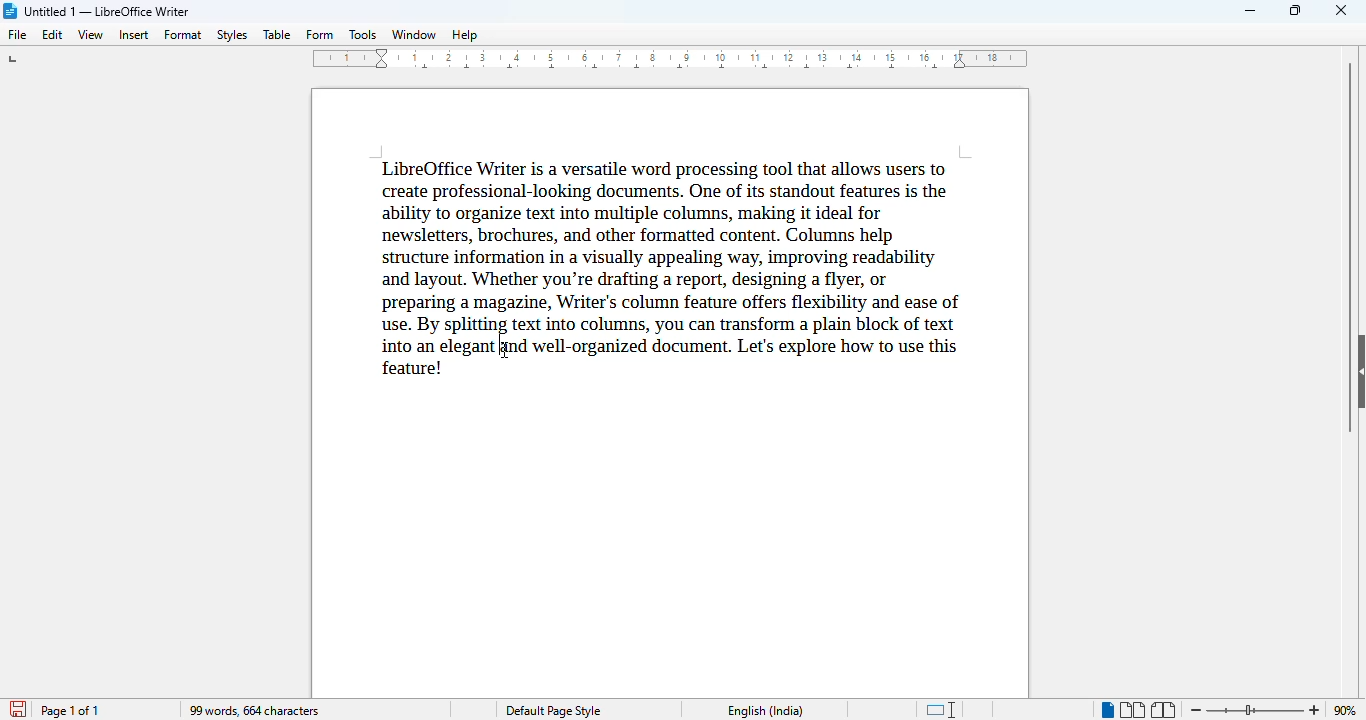 This screenshot has height=720, width=1366. I want to click on cursor, so click(503, 351).